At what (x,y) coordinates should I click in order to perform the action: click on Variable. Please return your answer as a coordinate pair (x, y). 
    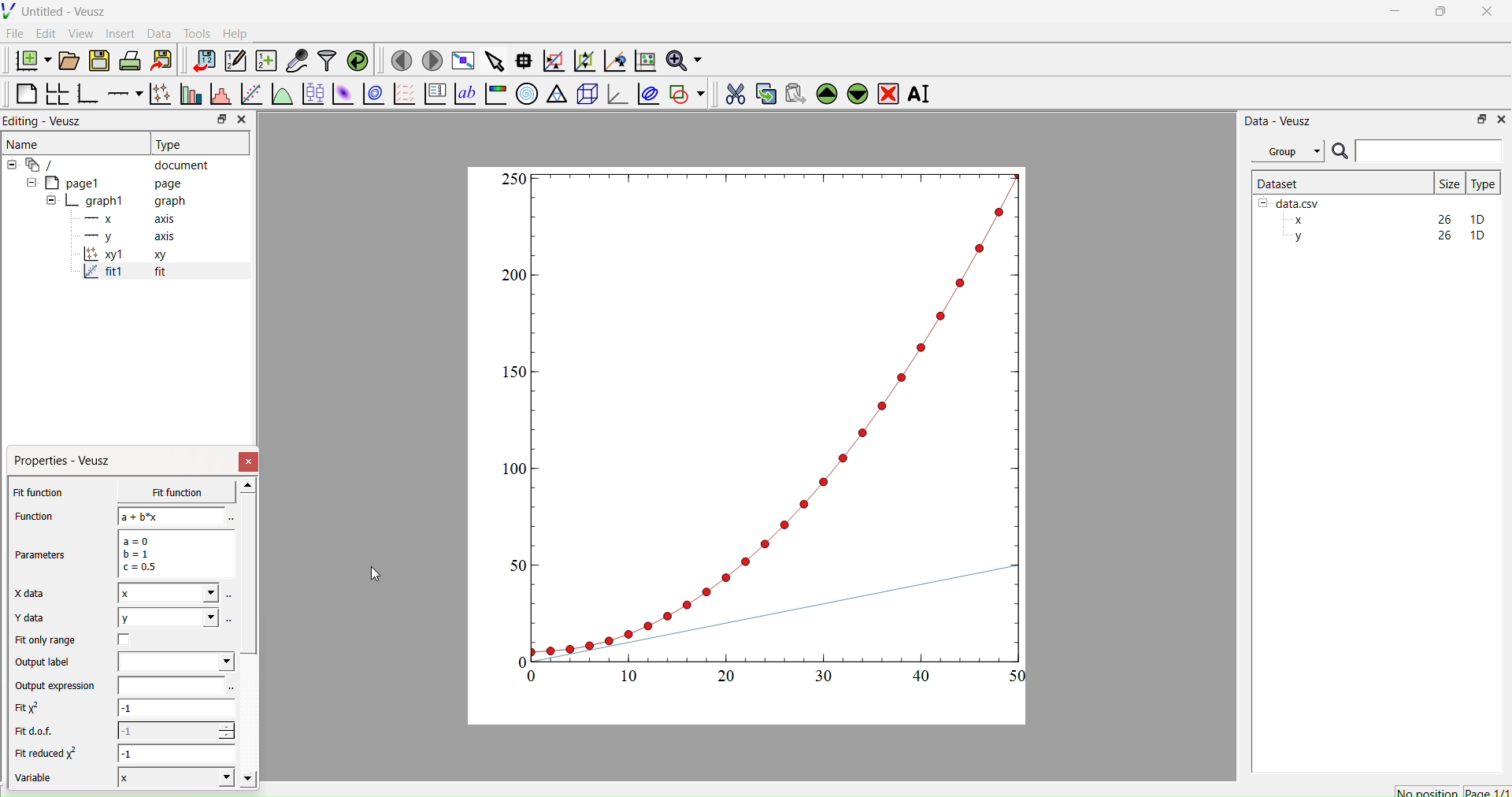
    Looking at the image, I should click on (41, 780).